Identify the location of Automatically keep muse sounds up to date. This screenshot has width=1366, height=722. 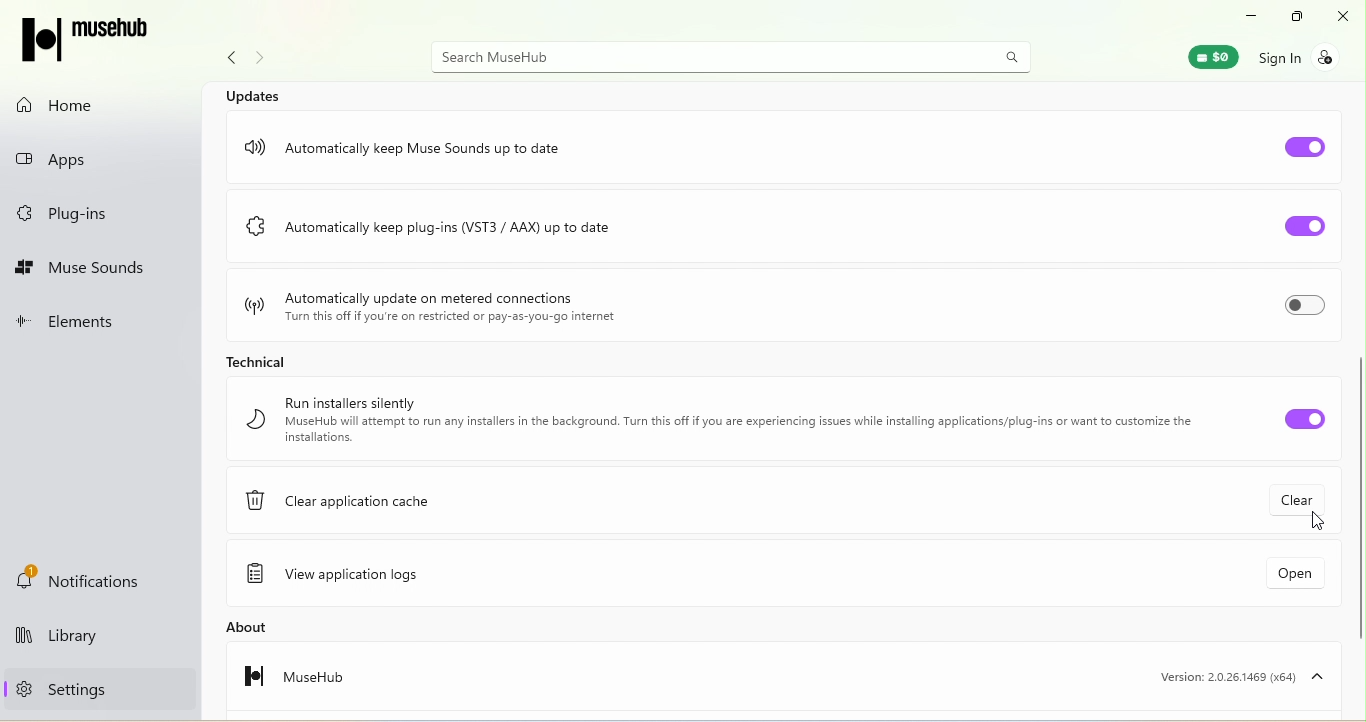
(417, 141).